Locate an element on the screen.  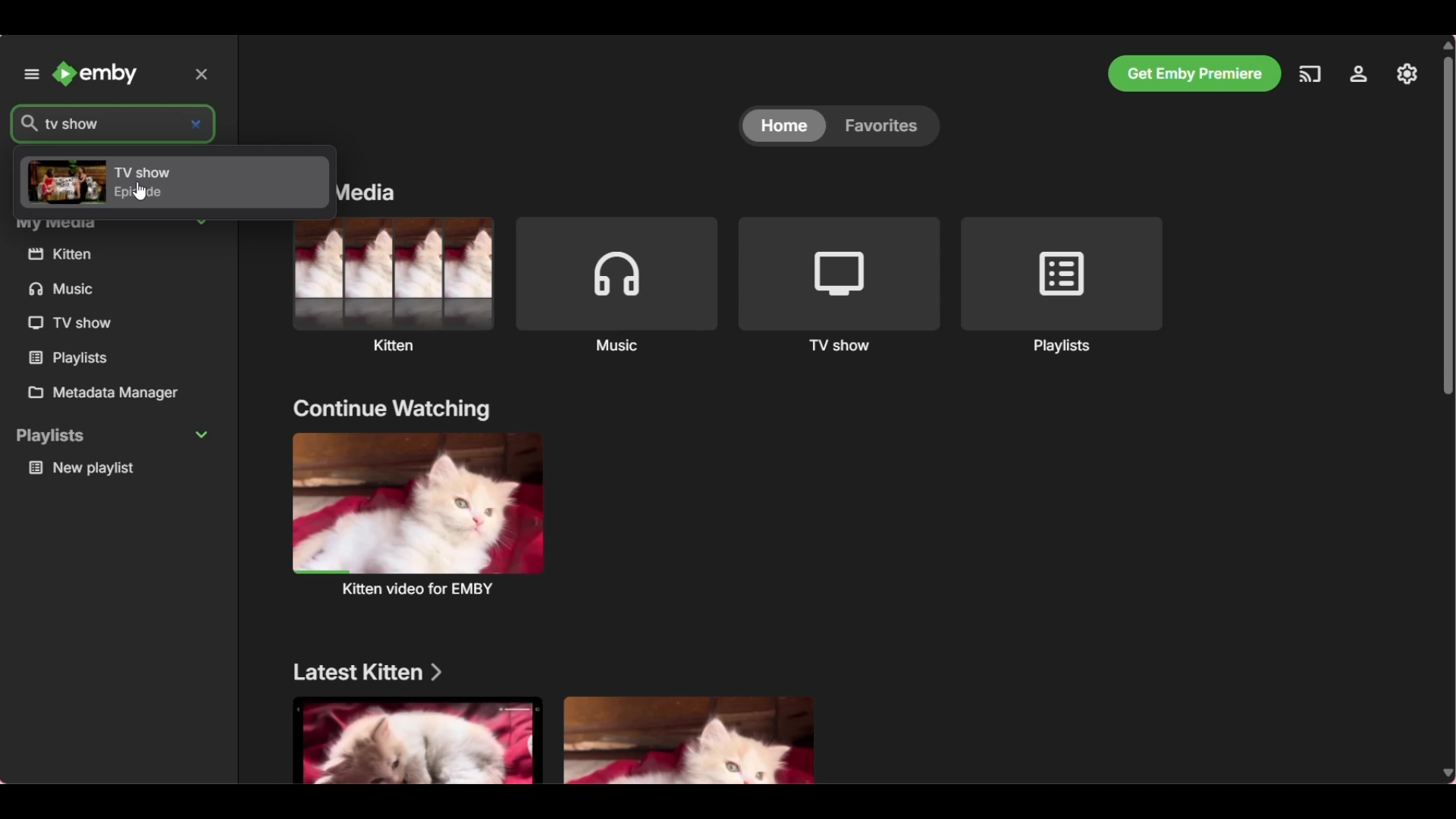
close is located at coordinates (193, 125).